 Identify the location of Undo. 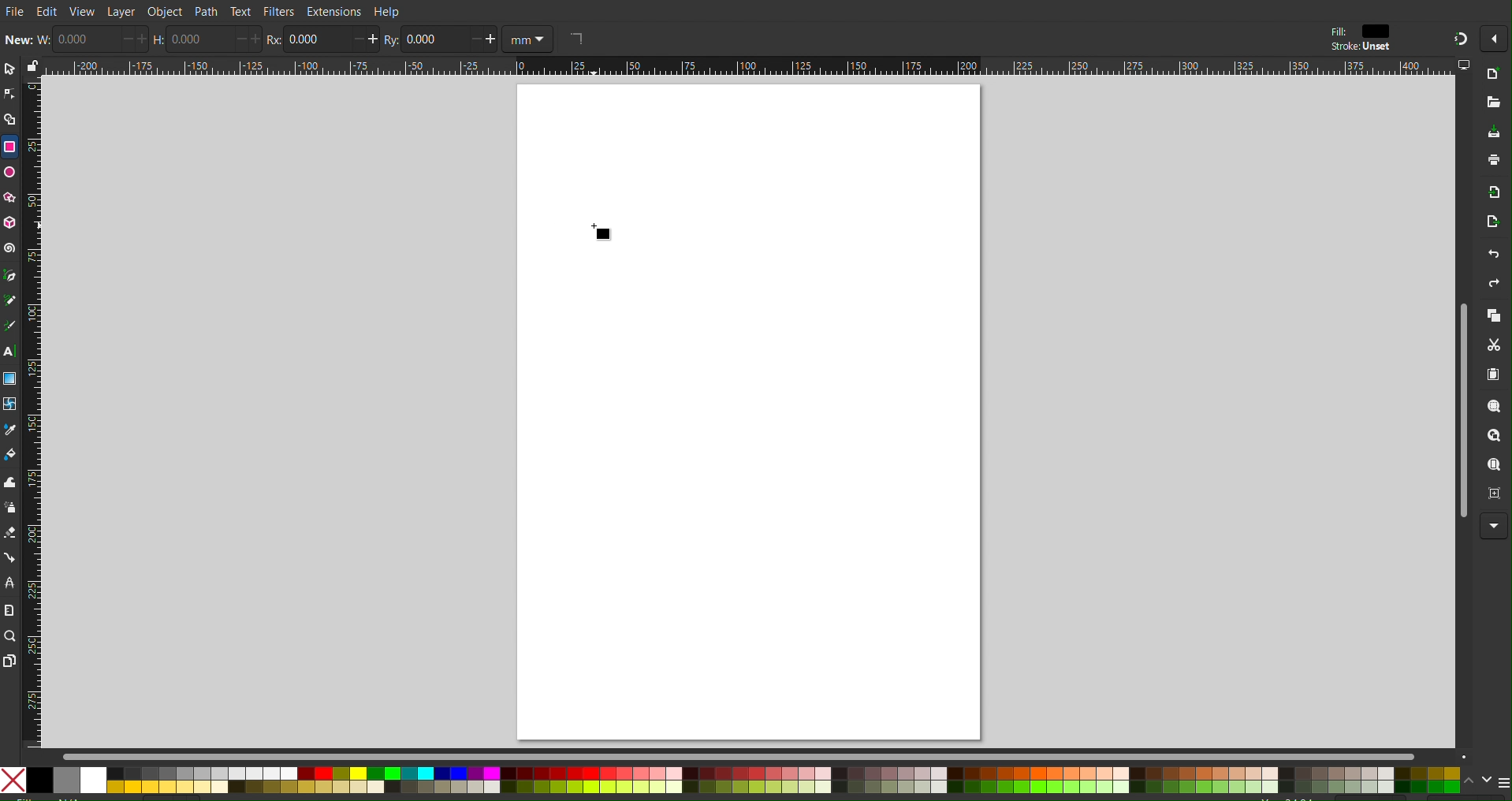
(1484, 256).